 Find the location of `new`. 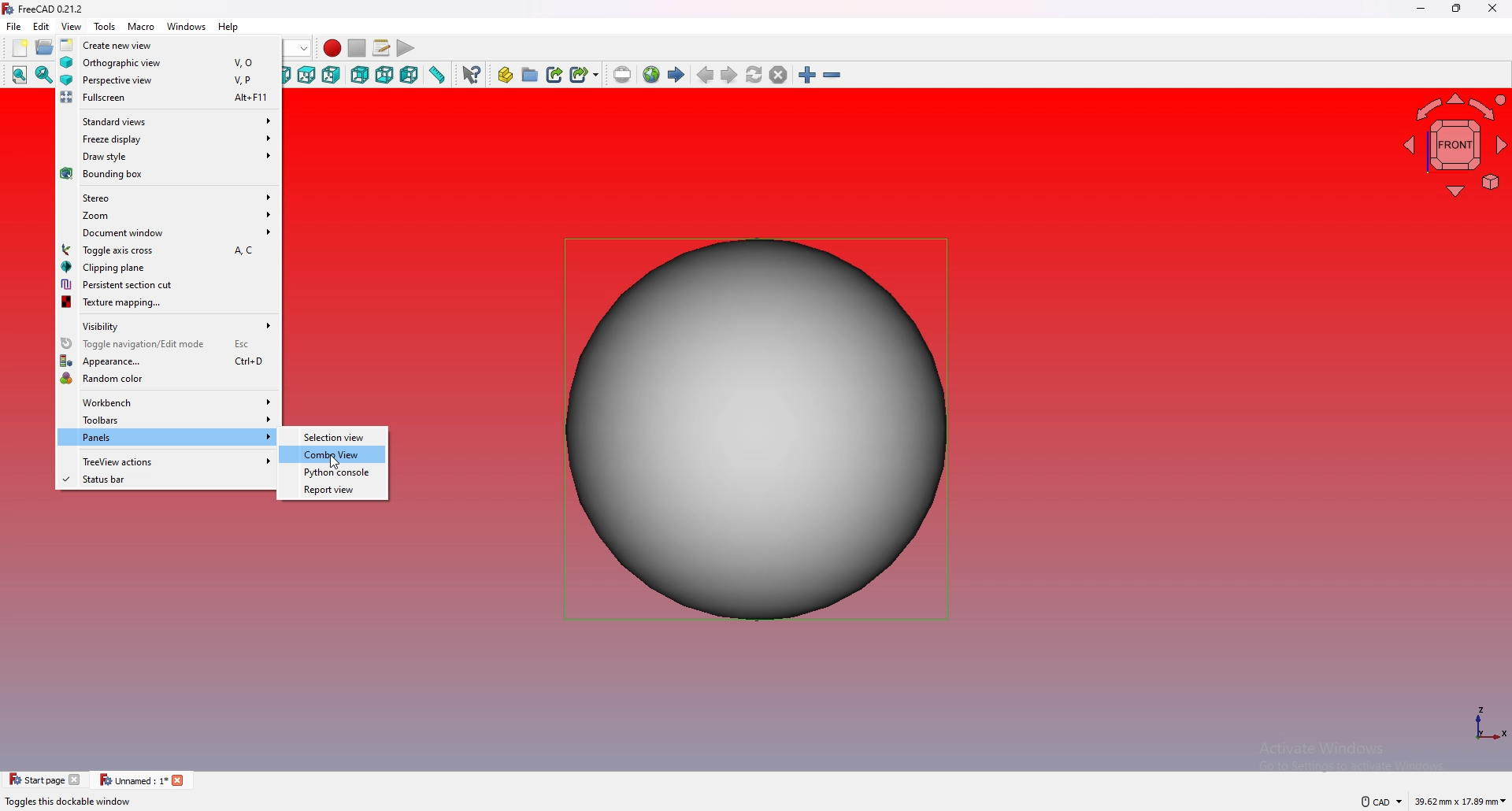

new is located at coordinates (18, 48).